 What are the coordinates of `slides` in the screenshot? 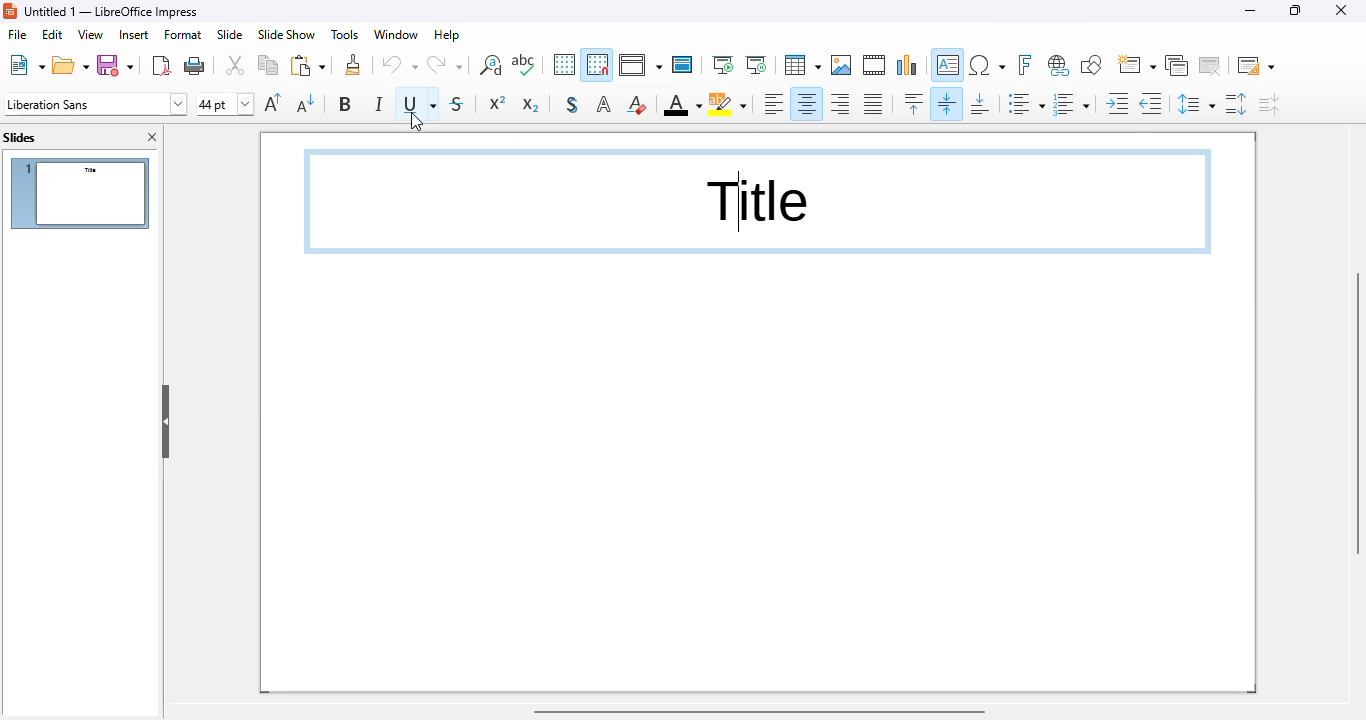 It's located at (20, 138).